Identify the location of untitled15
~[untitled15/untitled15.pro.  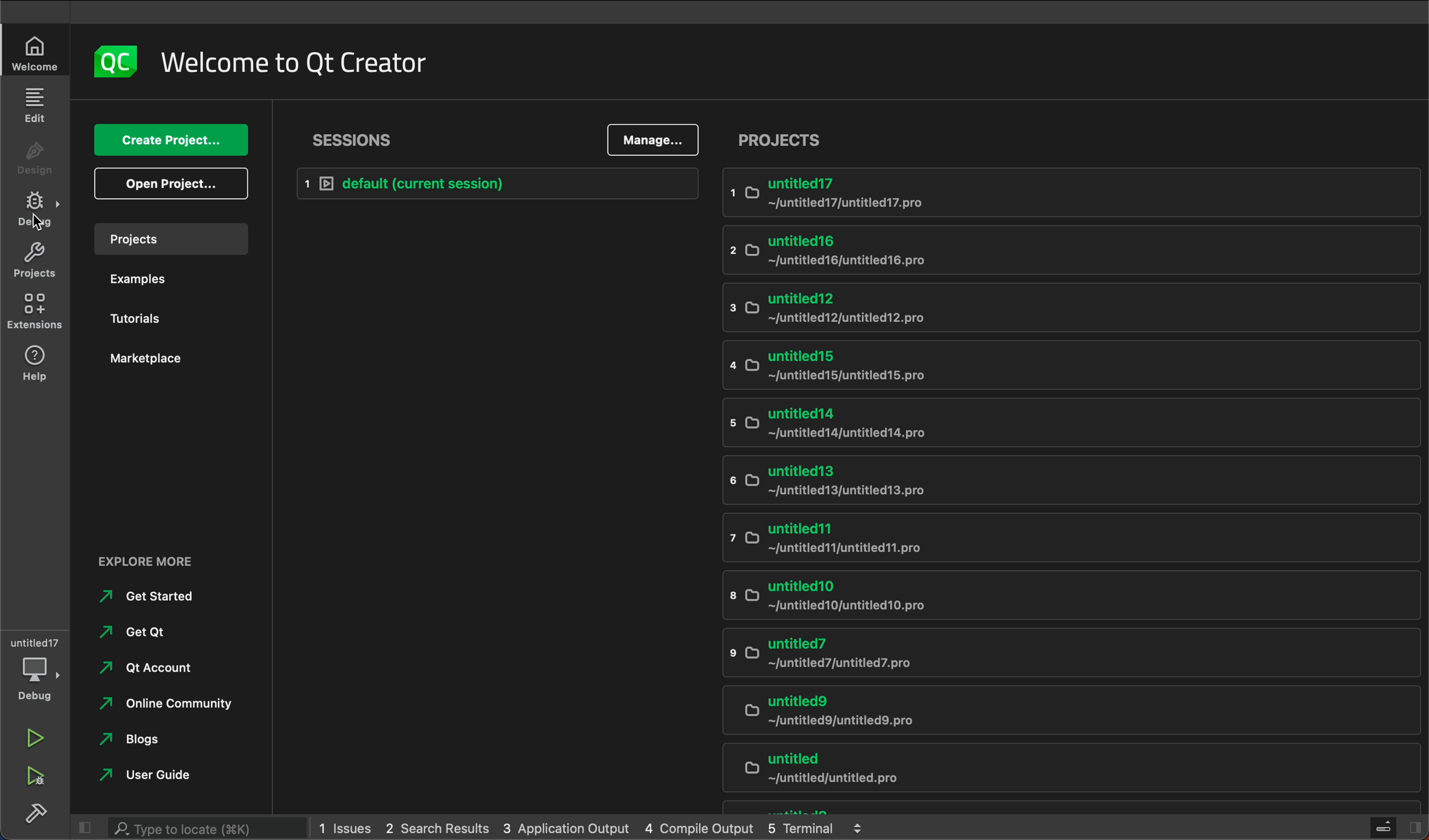
(1073, 366).